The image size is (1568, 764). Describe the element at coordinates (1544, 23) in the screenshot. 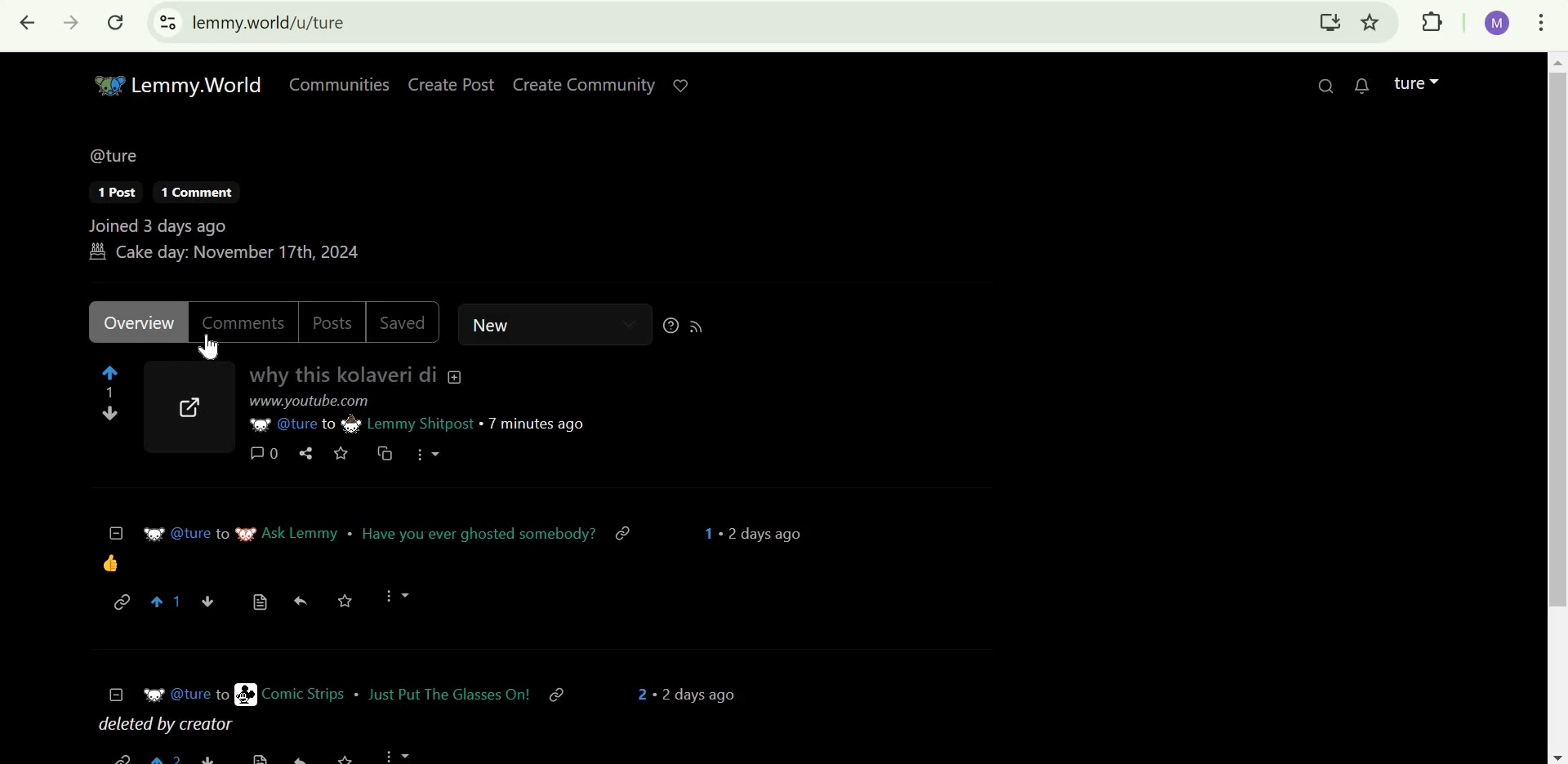

I see `customize and control google chrome` at that location.